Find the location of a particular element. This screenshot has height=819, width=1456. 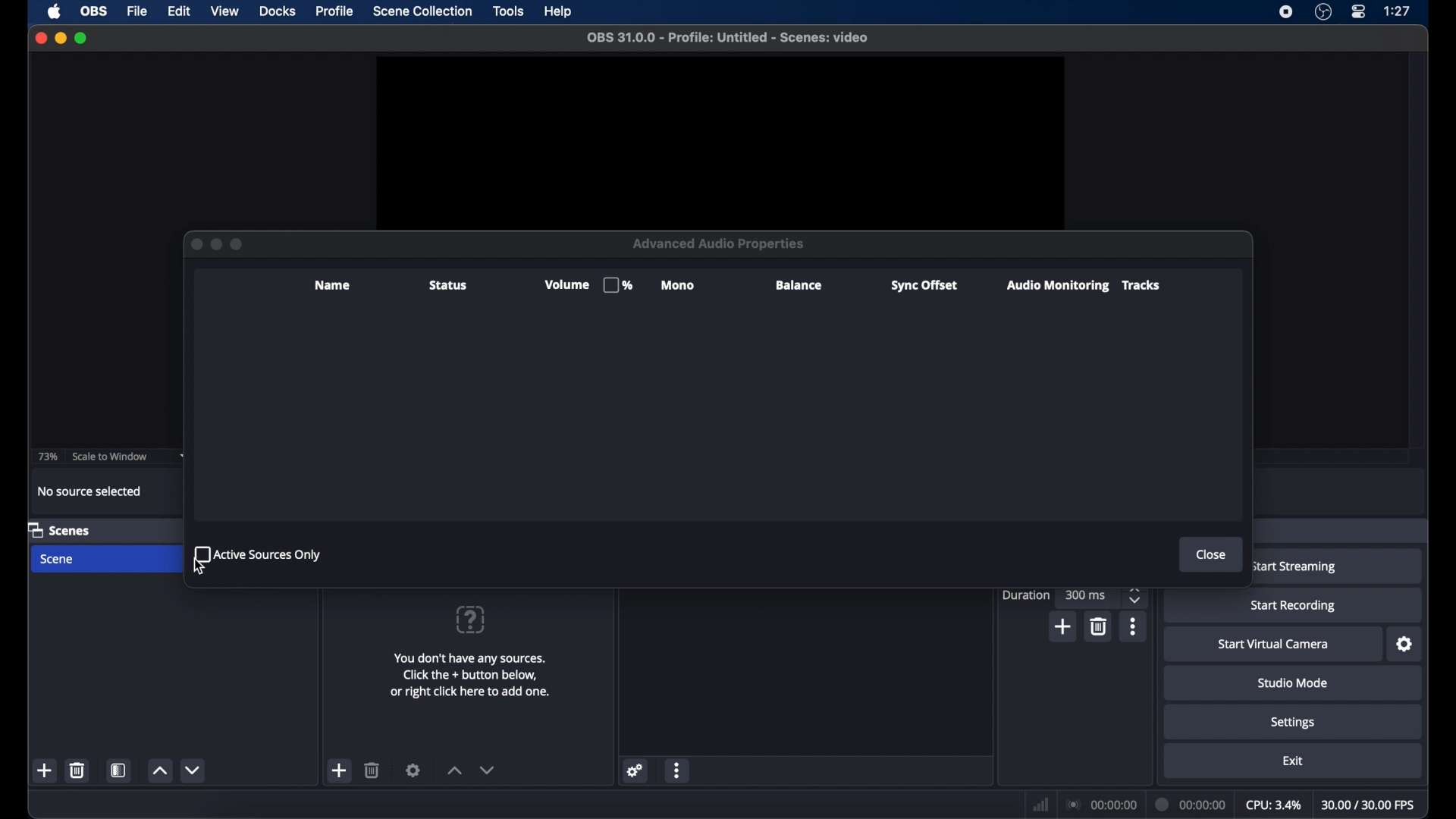

more options is located at coordinates (1134, 626).